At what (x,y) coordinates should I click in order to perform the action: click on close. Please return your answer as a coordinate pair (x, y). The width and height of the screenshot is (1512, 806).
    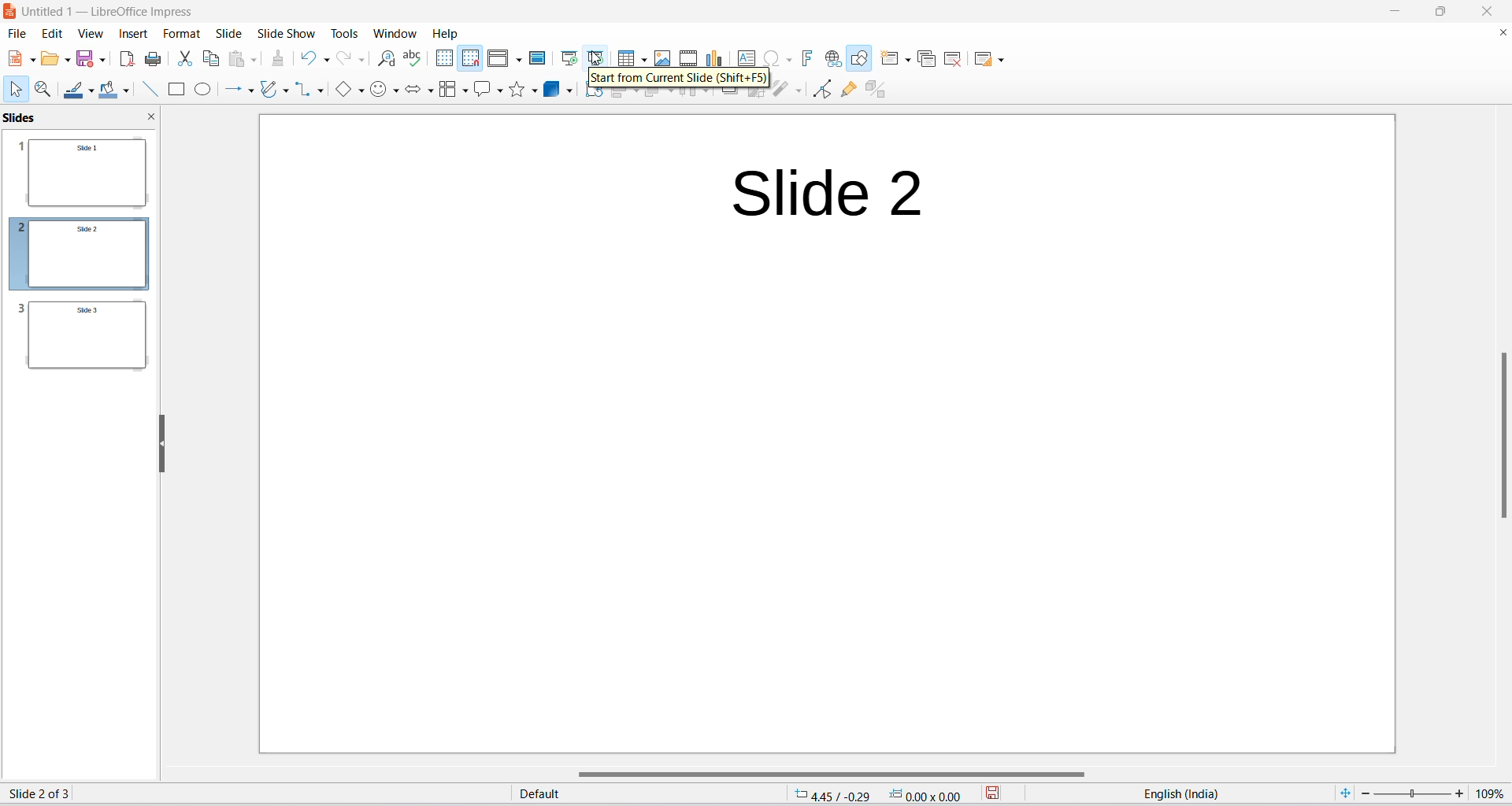
    Looking at the image, I should click on (1493, 11).